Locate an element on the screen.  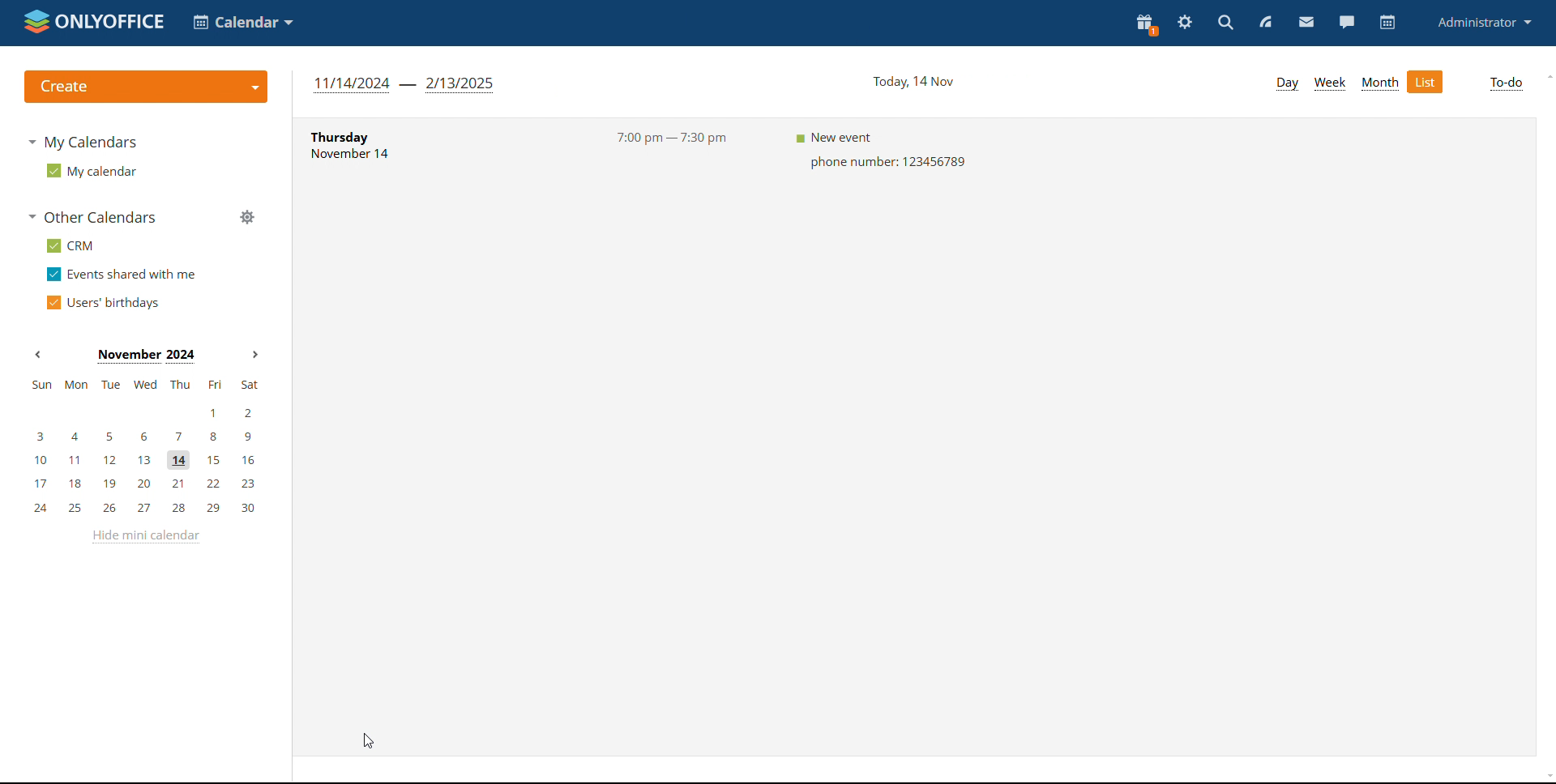
users' birthdays is located at coordinates (100, 303).